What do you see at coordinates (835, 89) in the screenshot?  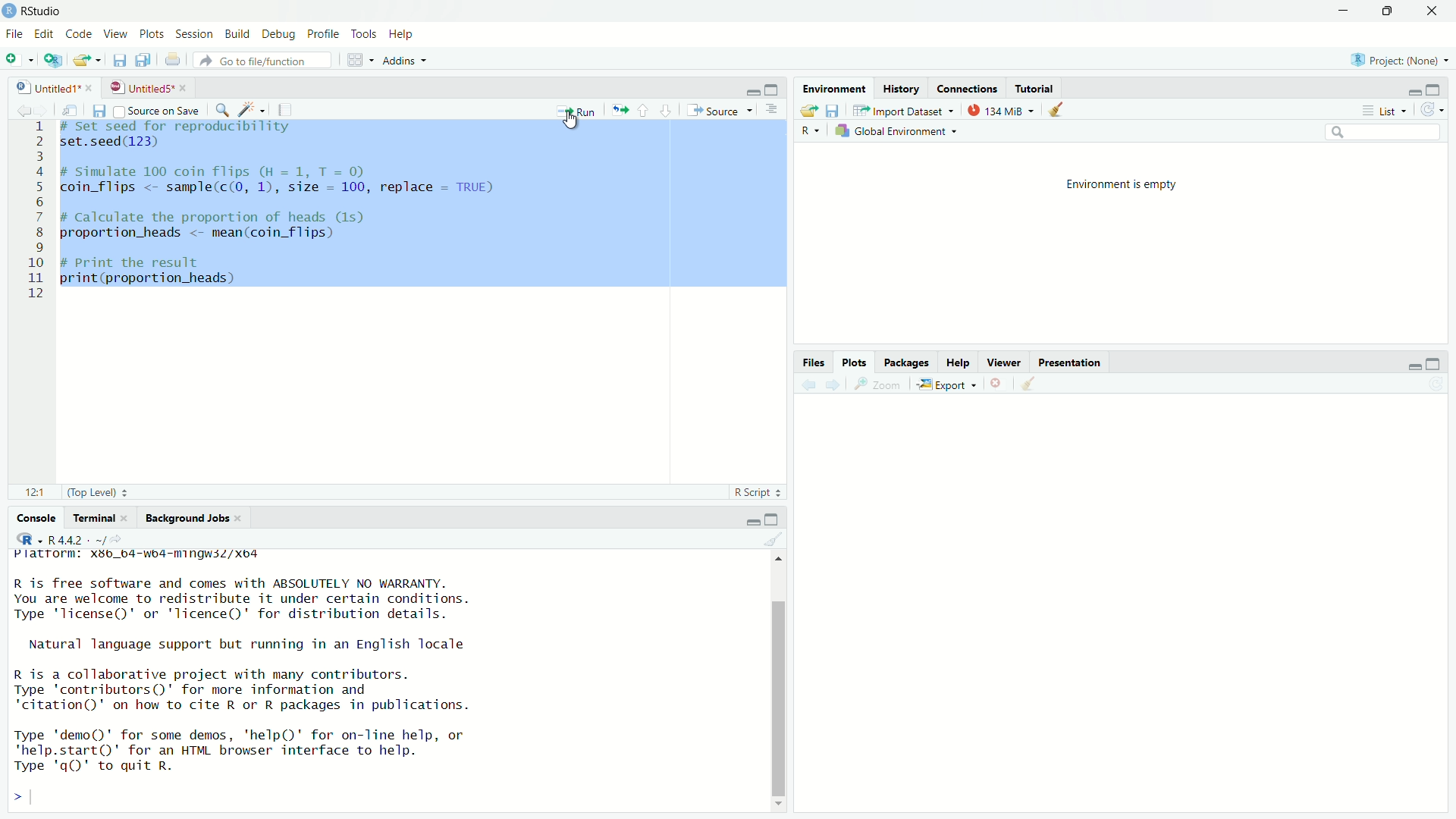 I see `Environment` at bounding box center [835, 89].